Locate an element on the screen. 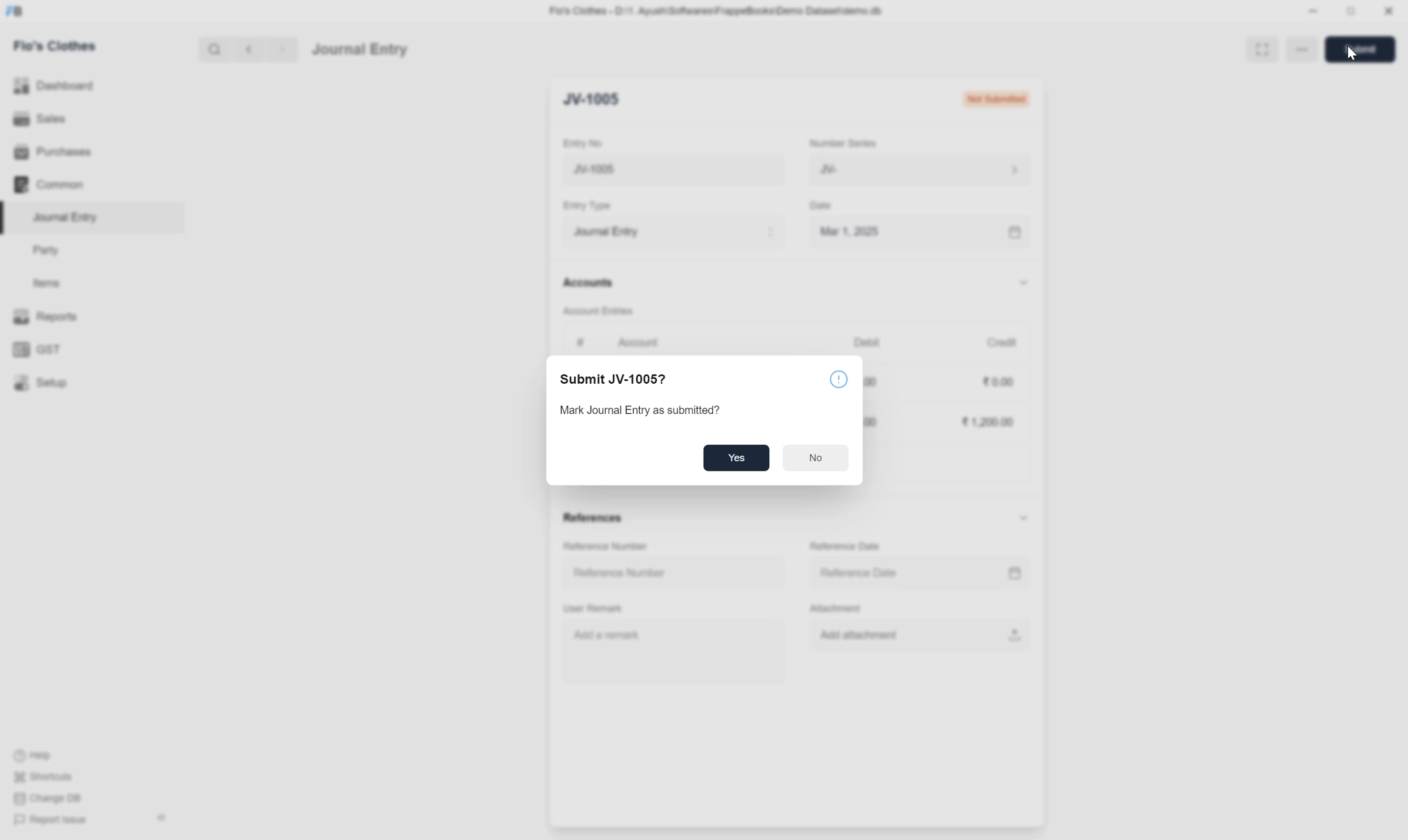  Flo's Clothes is located at coordinates (57, 46).